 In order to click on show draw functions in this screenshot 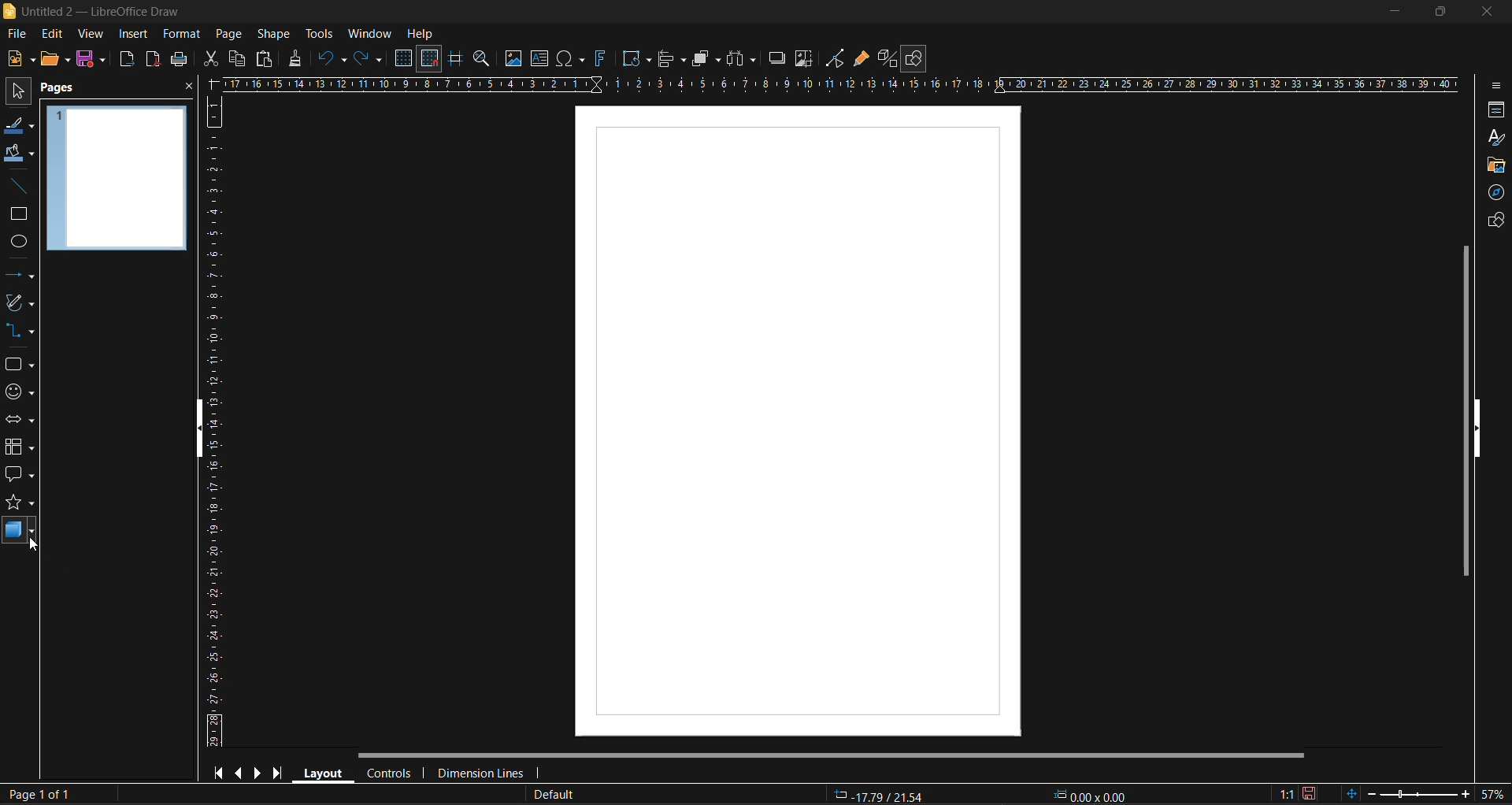, I will do `click(917, 59)`.